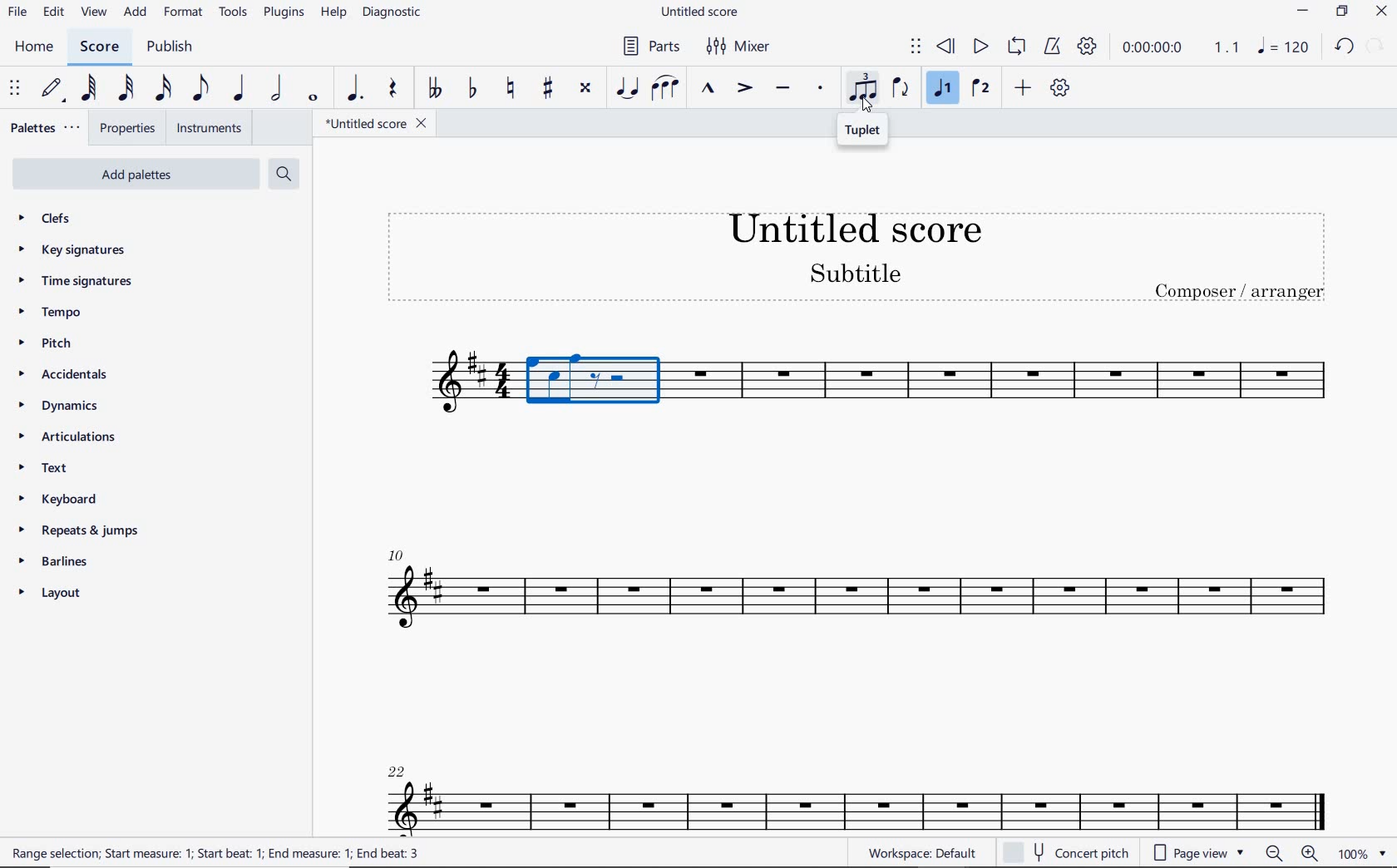  I want to click on TIE, so click(627, 88).